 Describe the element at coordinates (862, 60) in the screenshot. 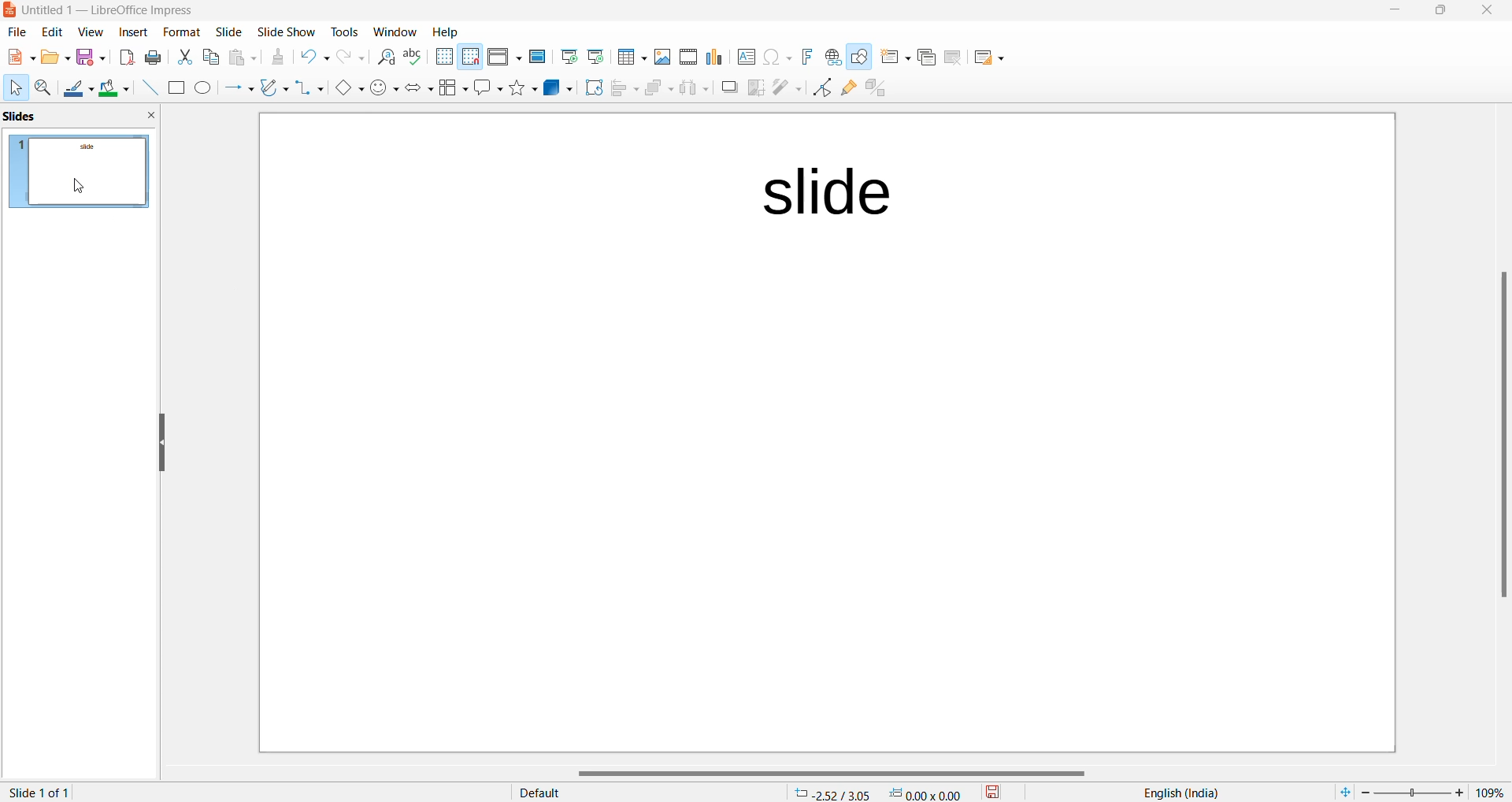

I see `show draw functions` at that location.